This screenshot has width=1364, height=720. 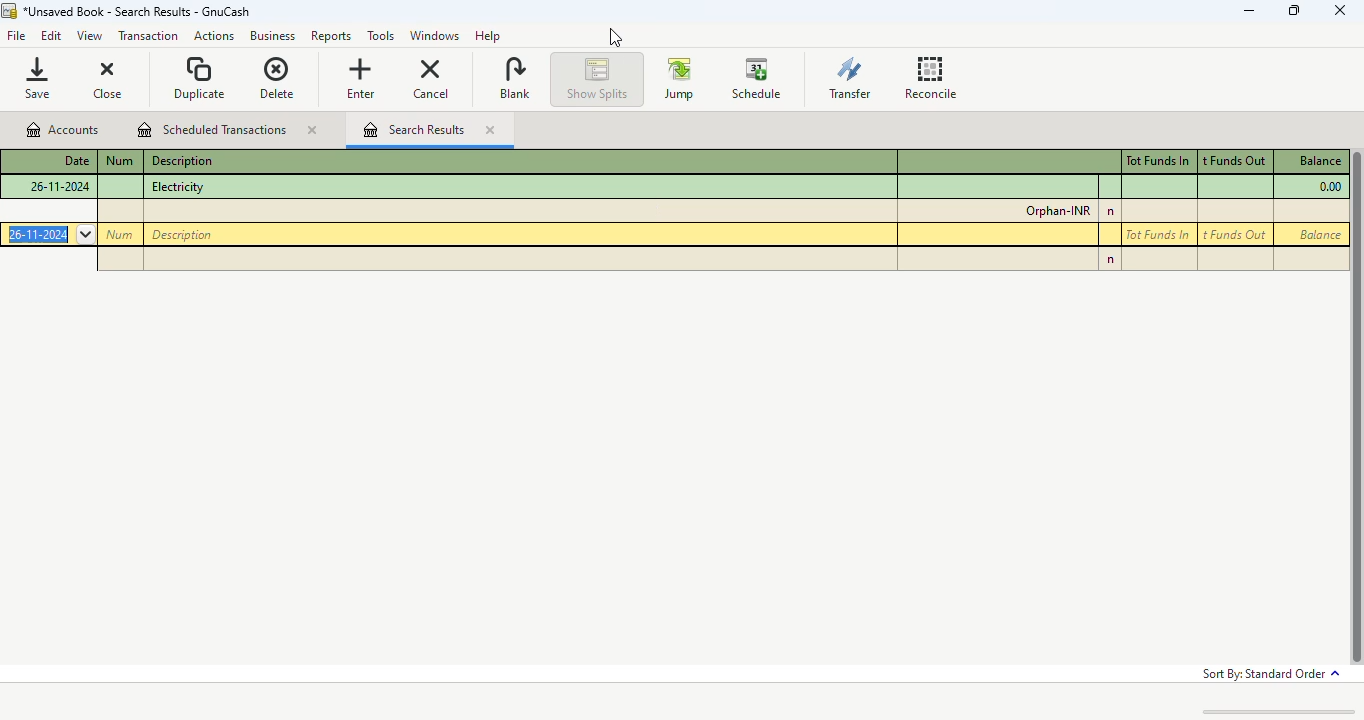 I want to click on reconcile, so click(x=931, y=77).